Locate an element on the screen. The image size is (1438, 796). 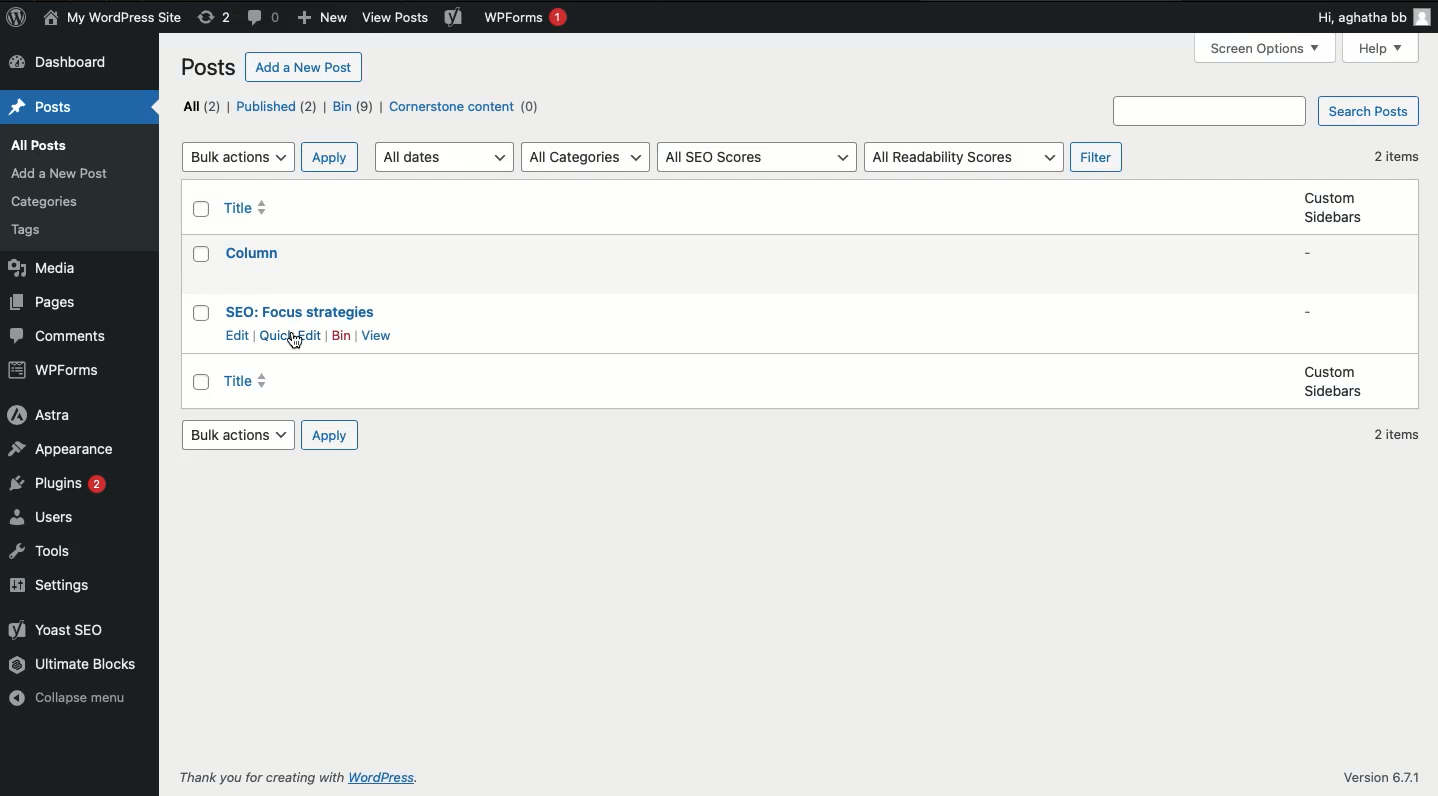
Apply is located at coordinates (329, 436).